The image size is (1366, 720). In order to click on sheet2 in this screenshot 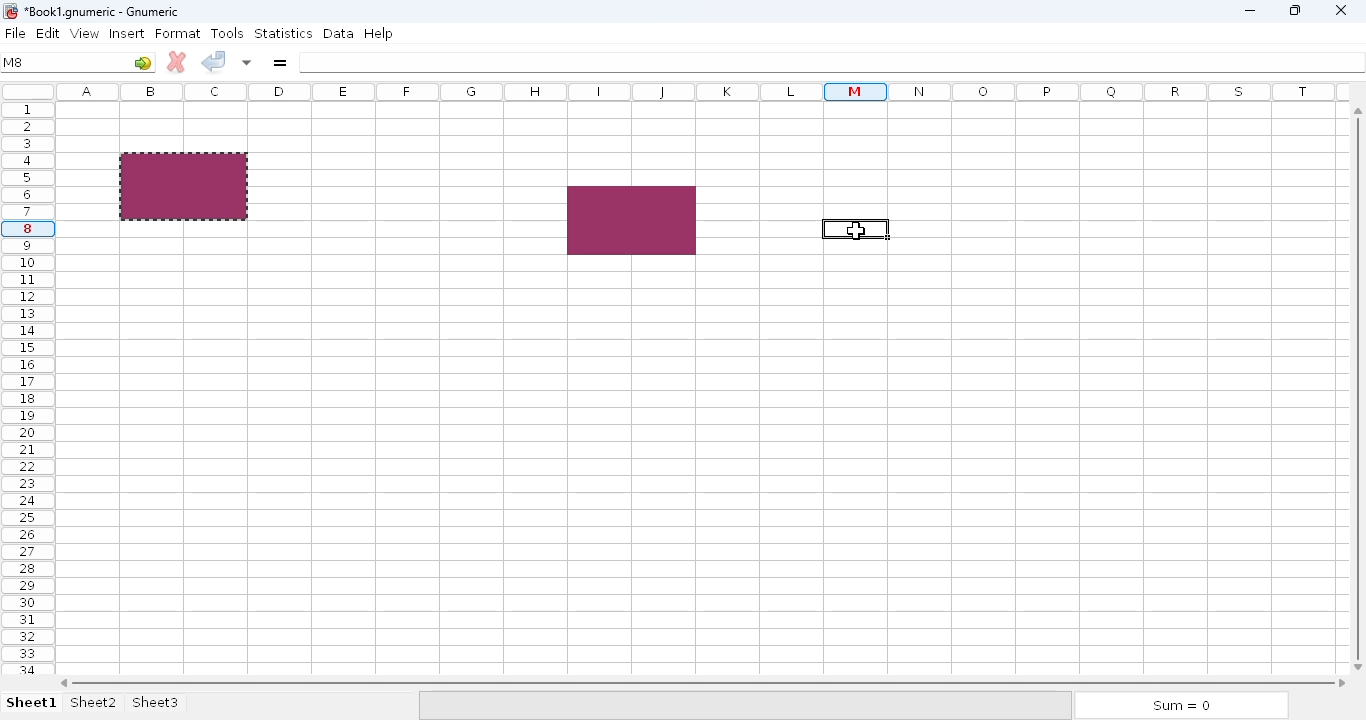, I will do `click(93, 703)`.